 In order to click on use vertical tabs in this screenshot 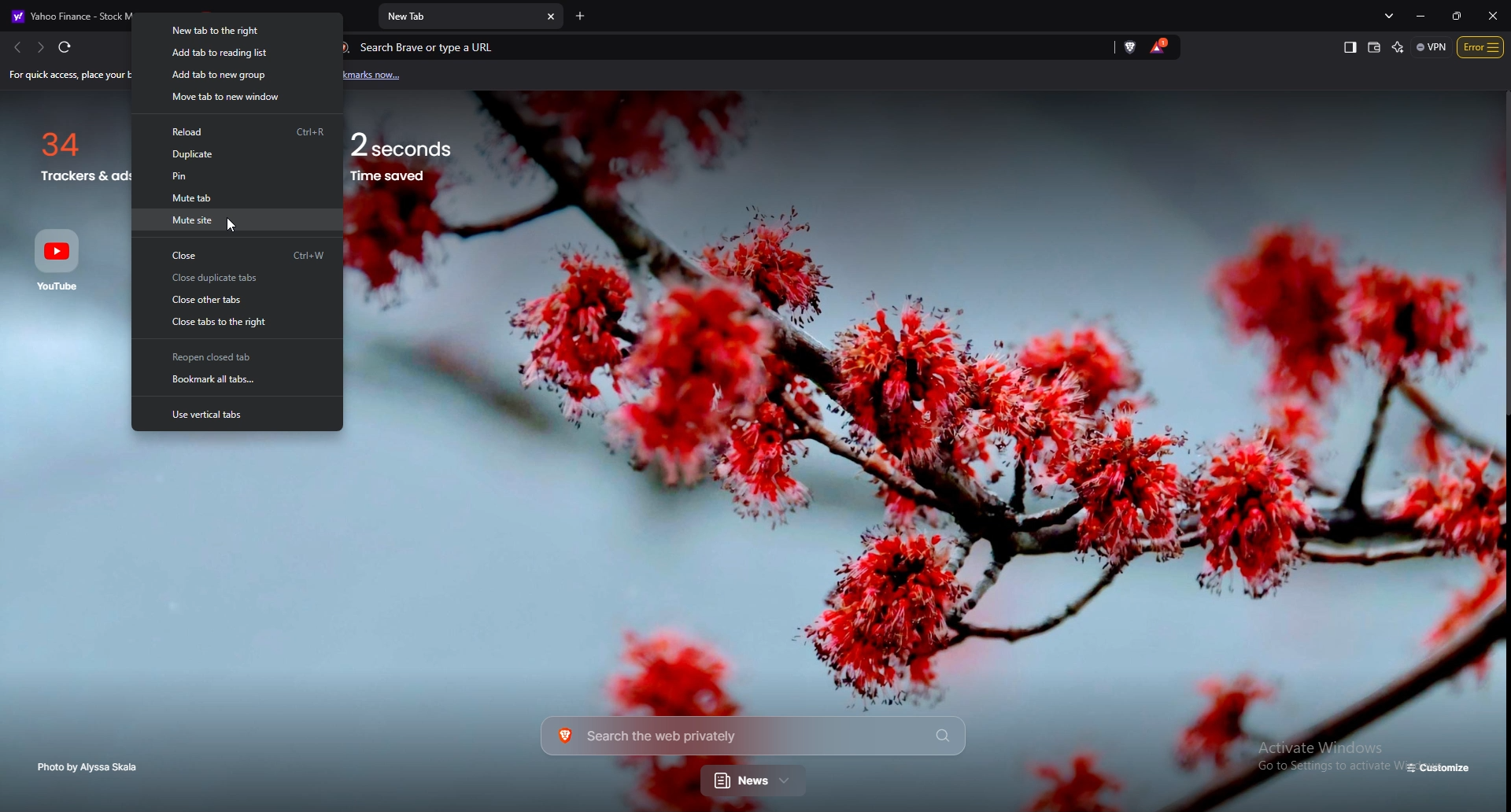, I will do `click(236, 414)`.